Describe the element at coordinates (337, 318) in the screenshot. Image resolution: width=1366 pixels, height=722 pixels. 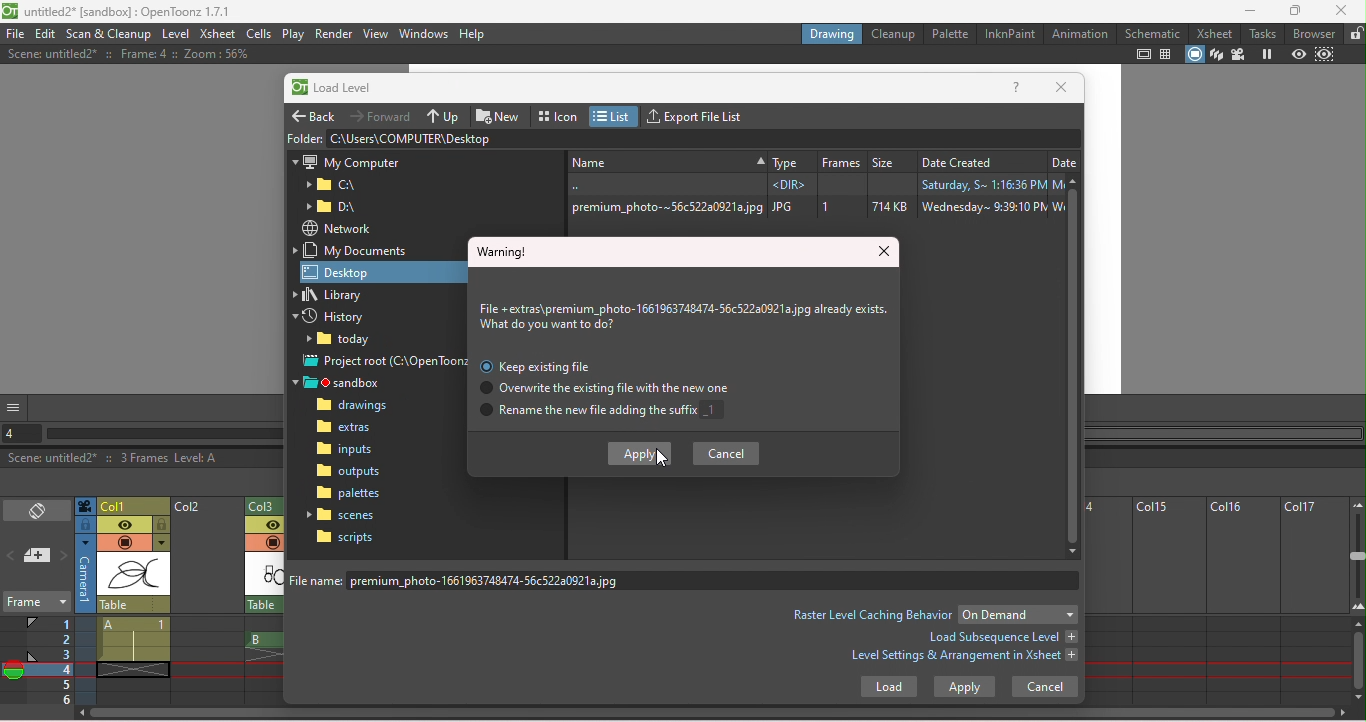
I see `History` at that location.